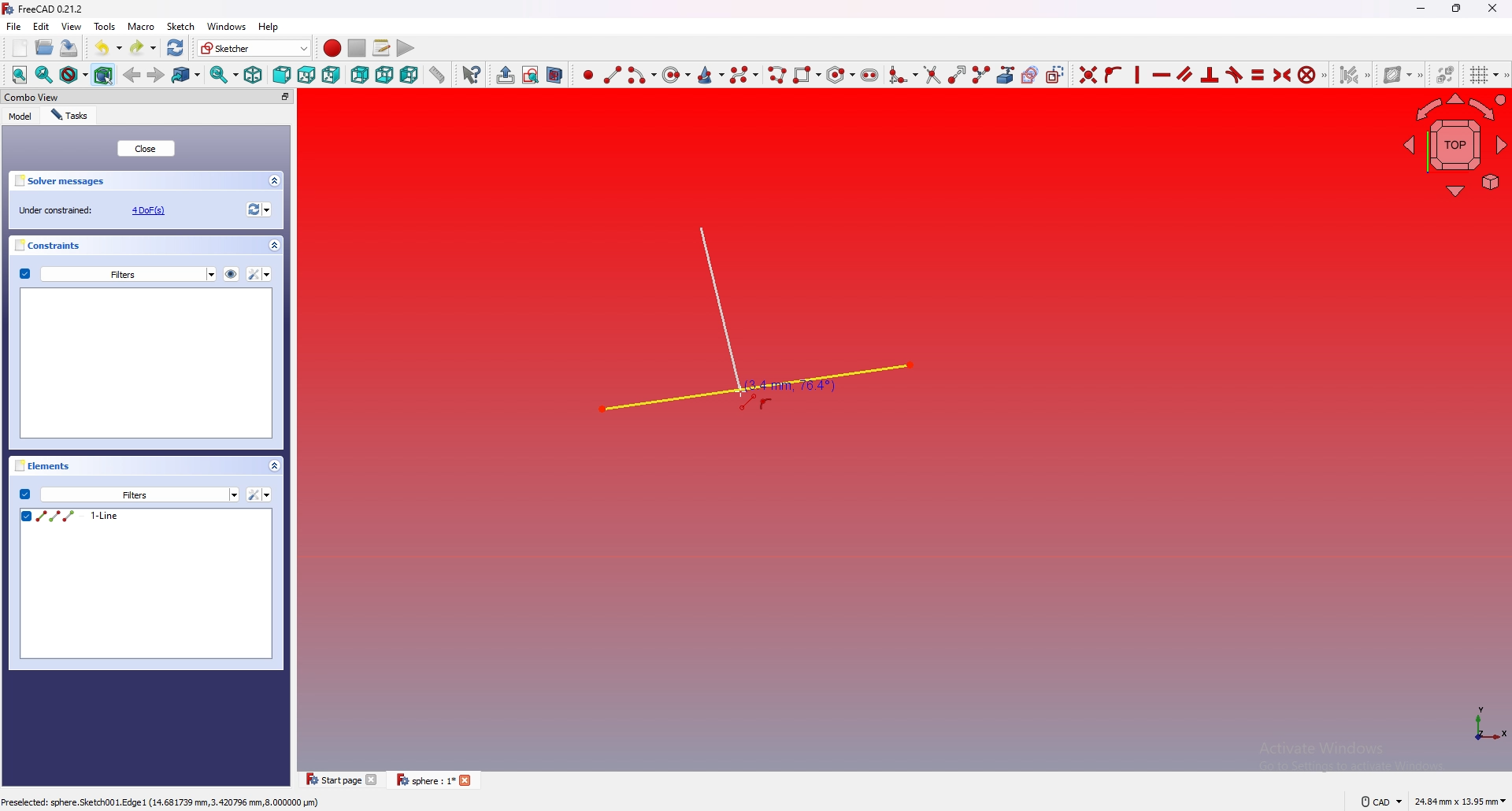  What do you see at coordinates (1136, 75) in the screenshot?
I see `Constrain vertically` at bounding box center [1136, 75].